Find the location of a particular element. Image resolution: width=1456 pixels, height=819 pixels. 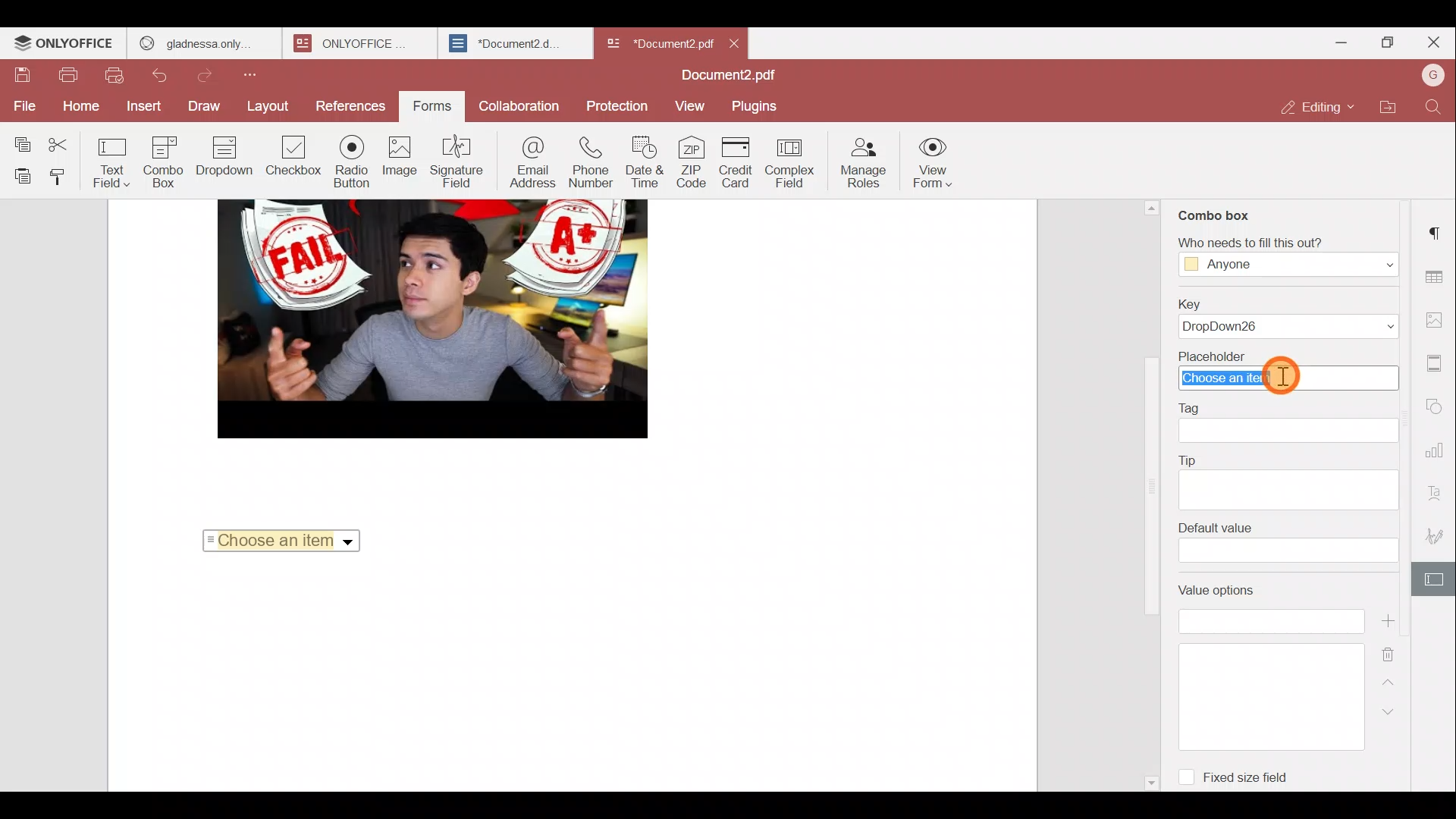

Complex field is located at coordinates (792, 165).